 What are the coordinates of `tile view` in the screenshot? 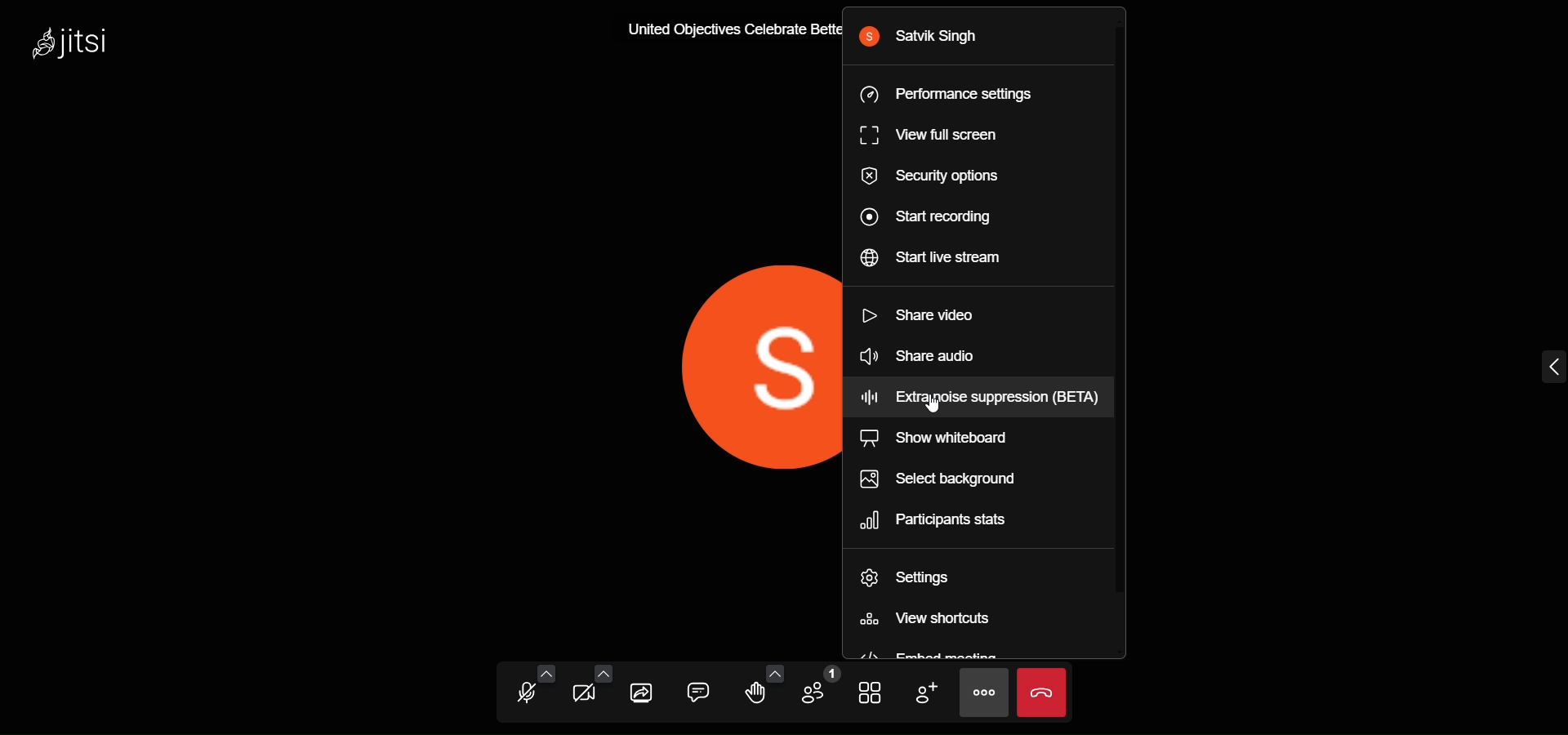 It's located at (871, 693).